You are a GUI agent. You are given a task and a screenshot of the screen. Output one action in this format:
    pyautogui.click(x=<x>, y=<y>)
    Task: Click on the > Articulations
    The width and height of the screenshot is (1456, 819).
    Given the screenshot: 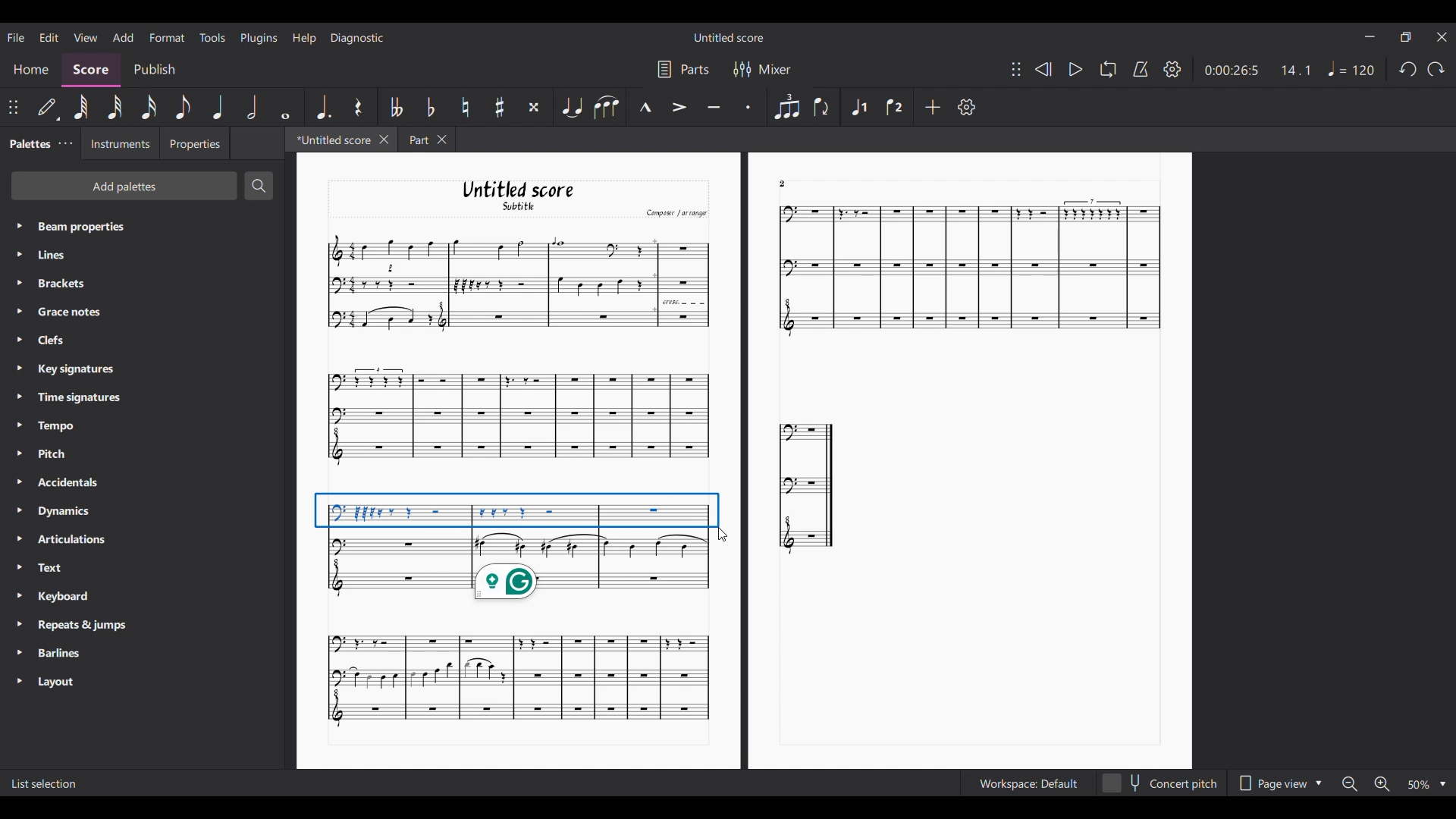 What is the action you would take?
    pyautogui.click(x=65, y=543)
    